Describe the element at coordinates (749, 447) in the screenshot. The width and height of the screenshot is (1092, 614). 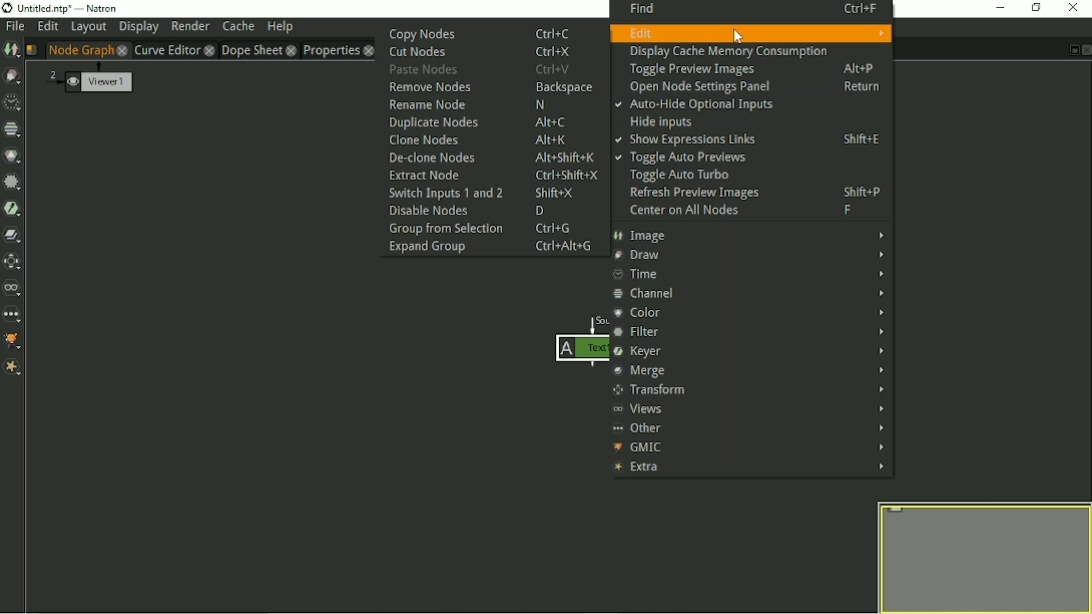
I see `GMIC` at that location.